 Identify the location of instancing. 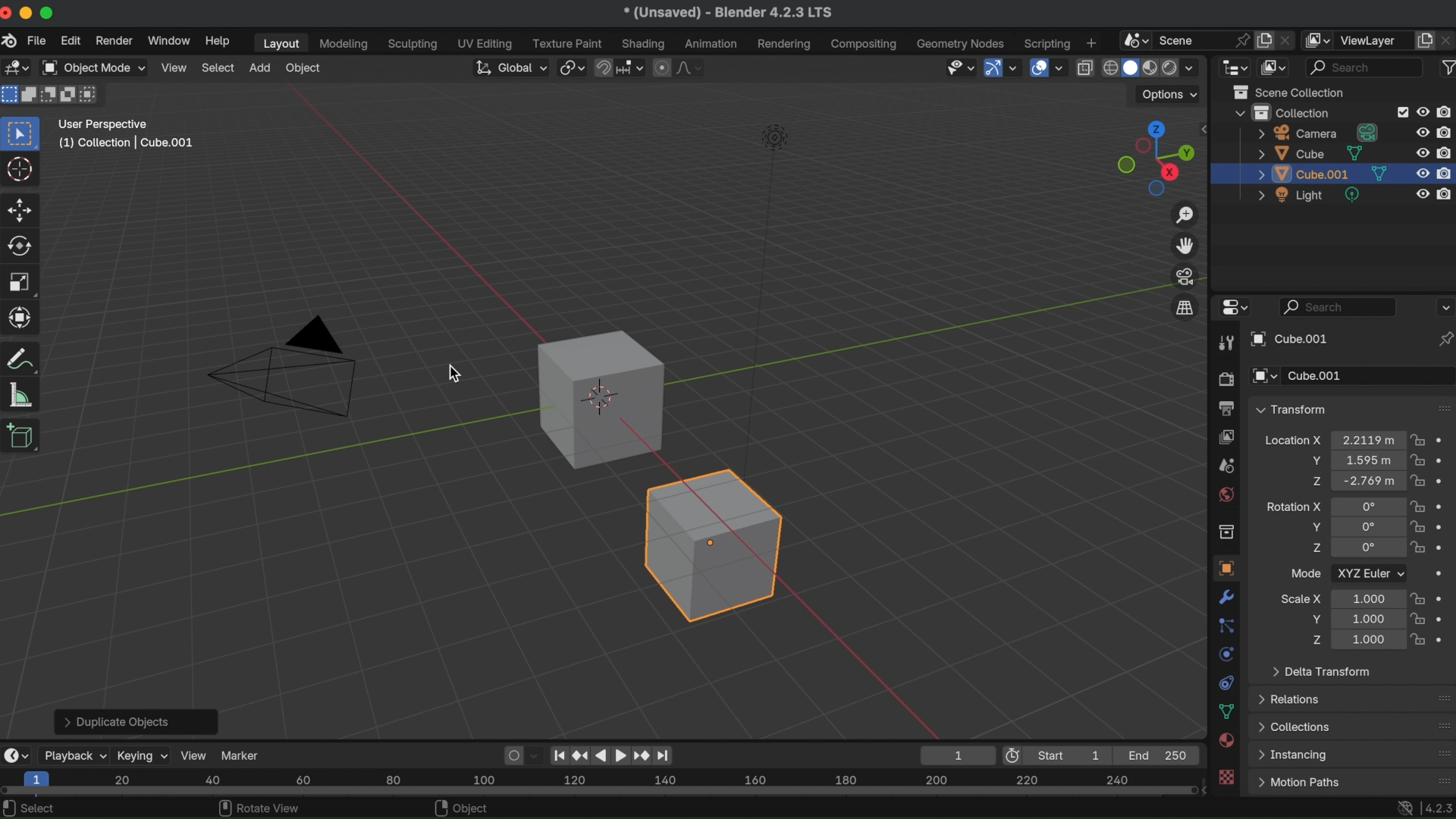
(1296, 755).